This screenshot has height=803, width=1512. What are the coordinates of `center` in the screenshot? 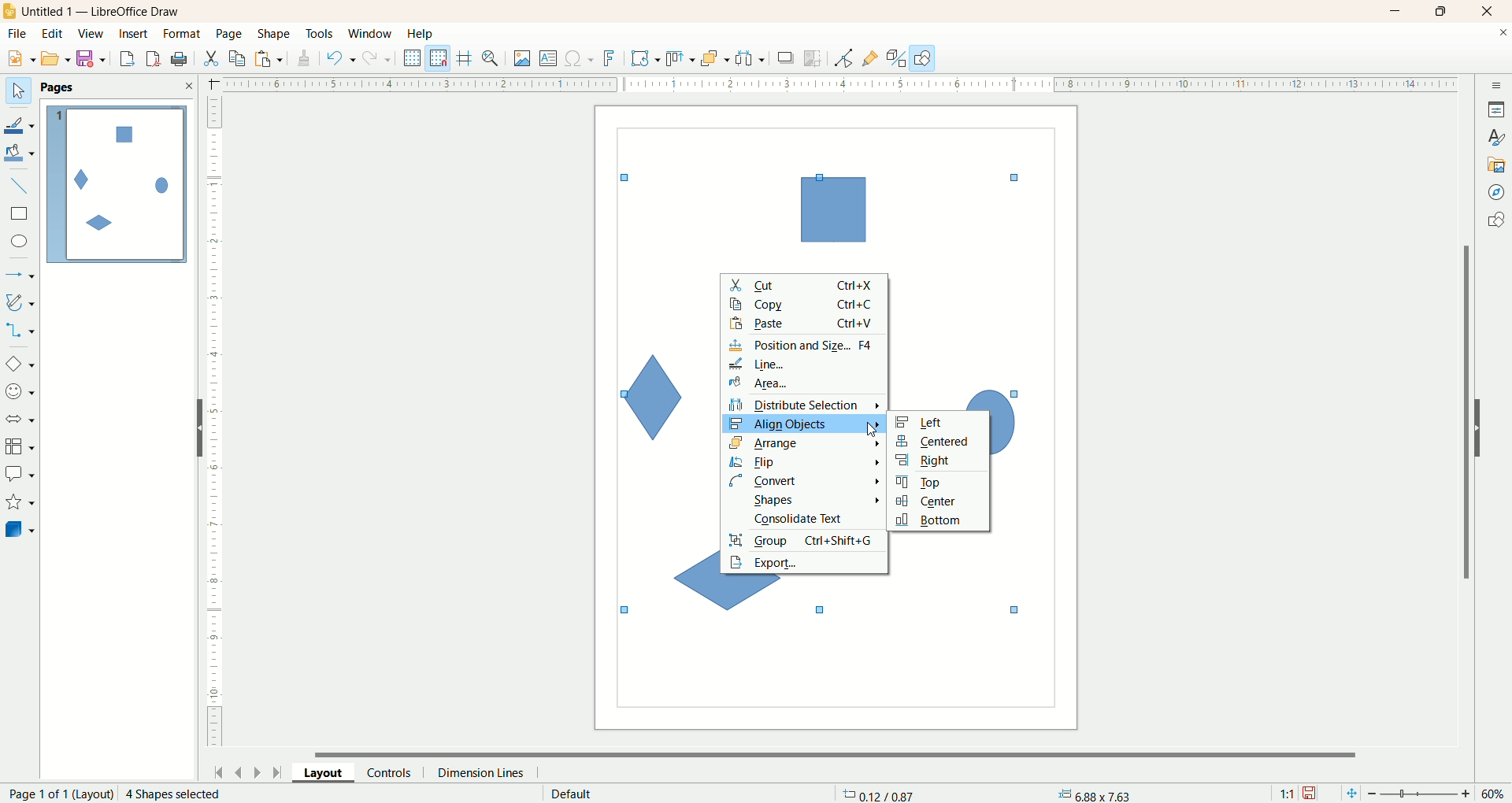 It's located at (935, 503).